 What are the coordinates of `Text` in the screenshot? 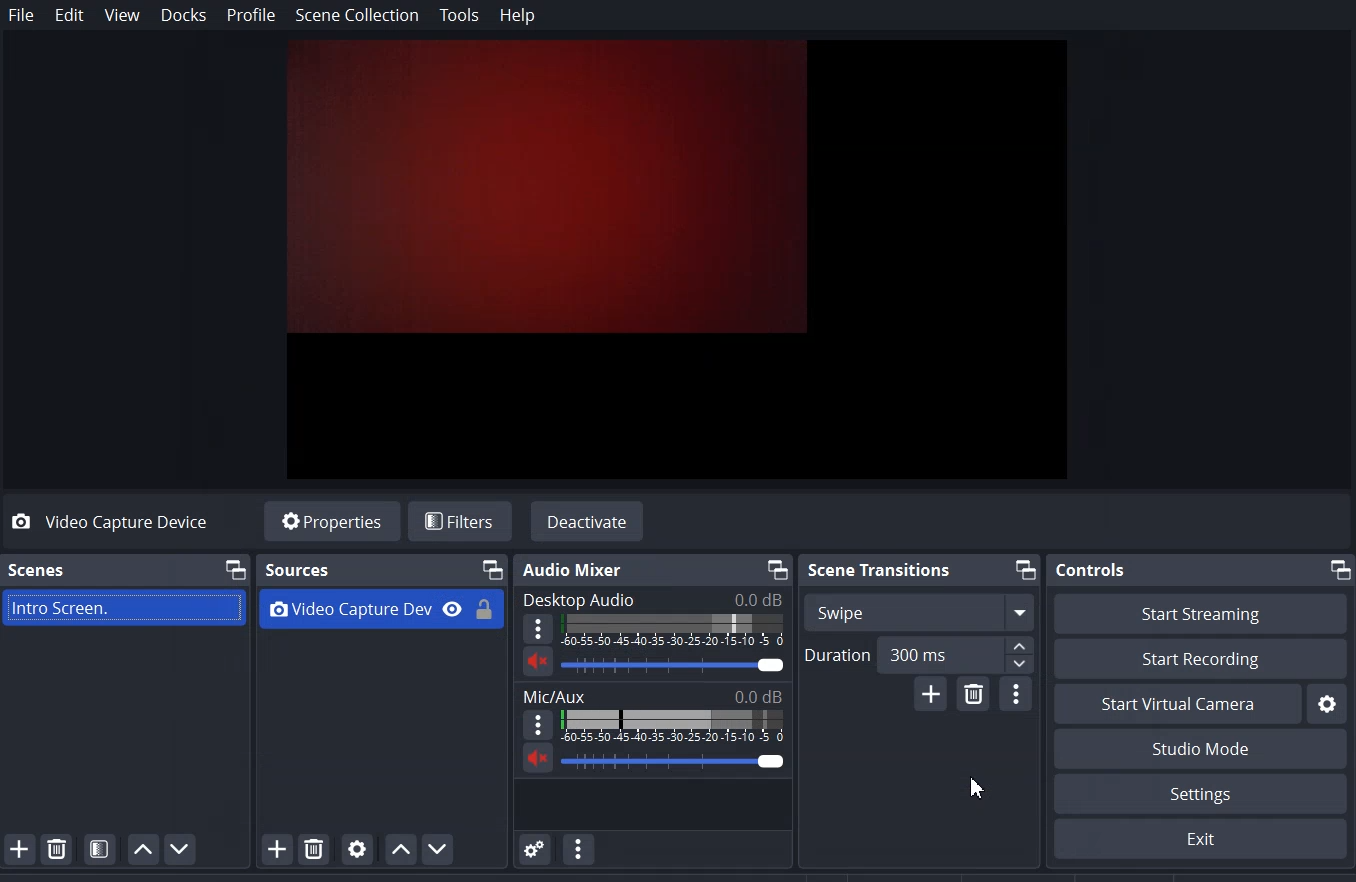 It's located at (651, 695).